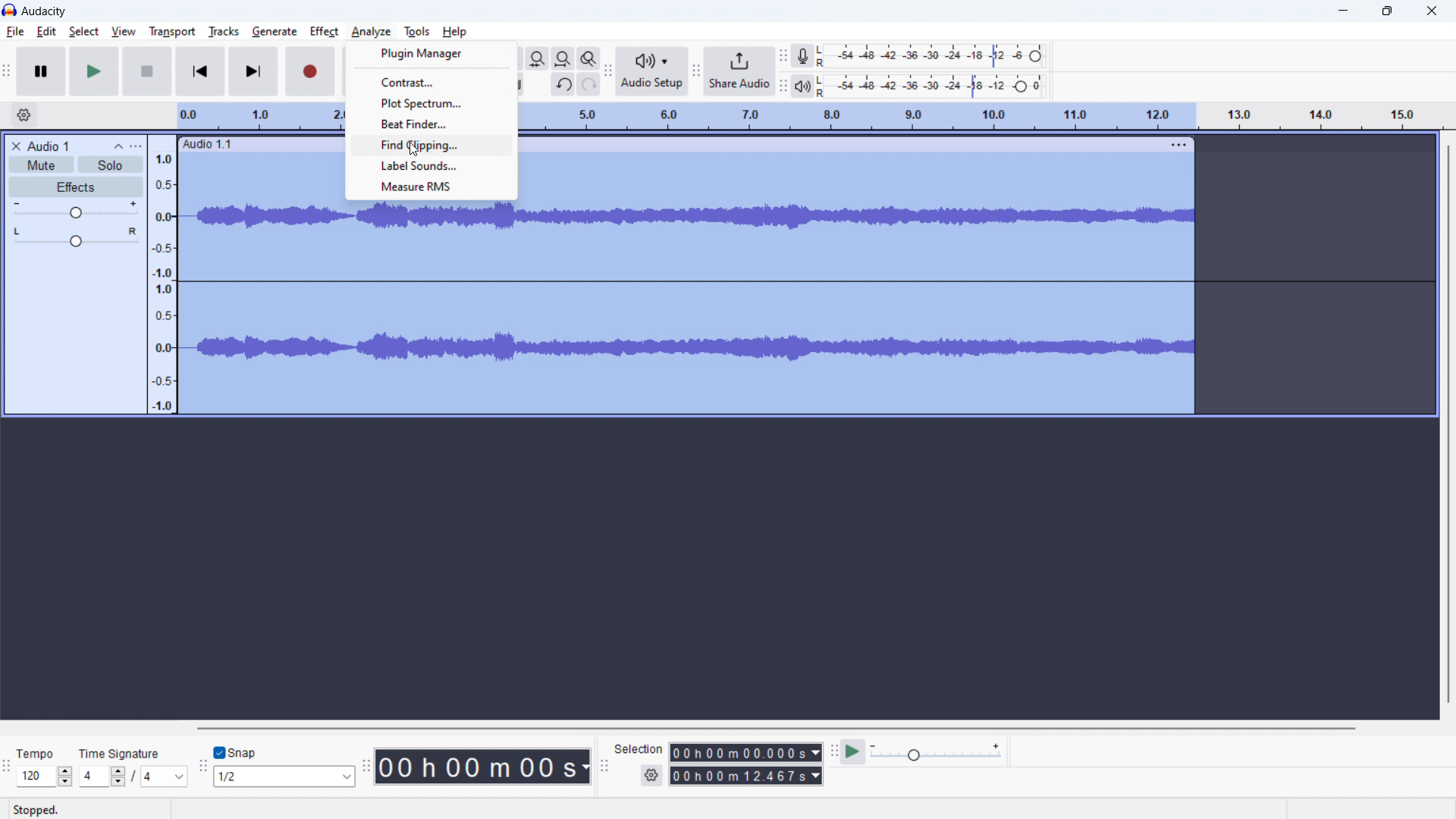 The width and height of the screenshot is (1456, 819). I want to click on beat finder, so click(435, 124).